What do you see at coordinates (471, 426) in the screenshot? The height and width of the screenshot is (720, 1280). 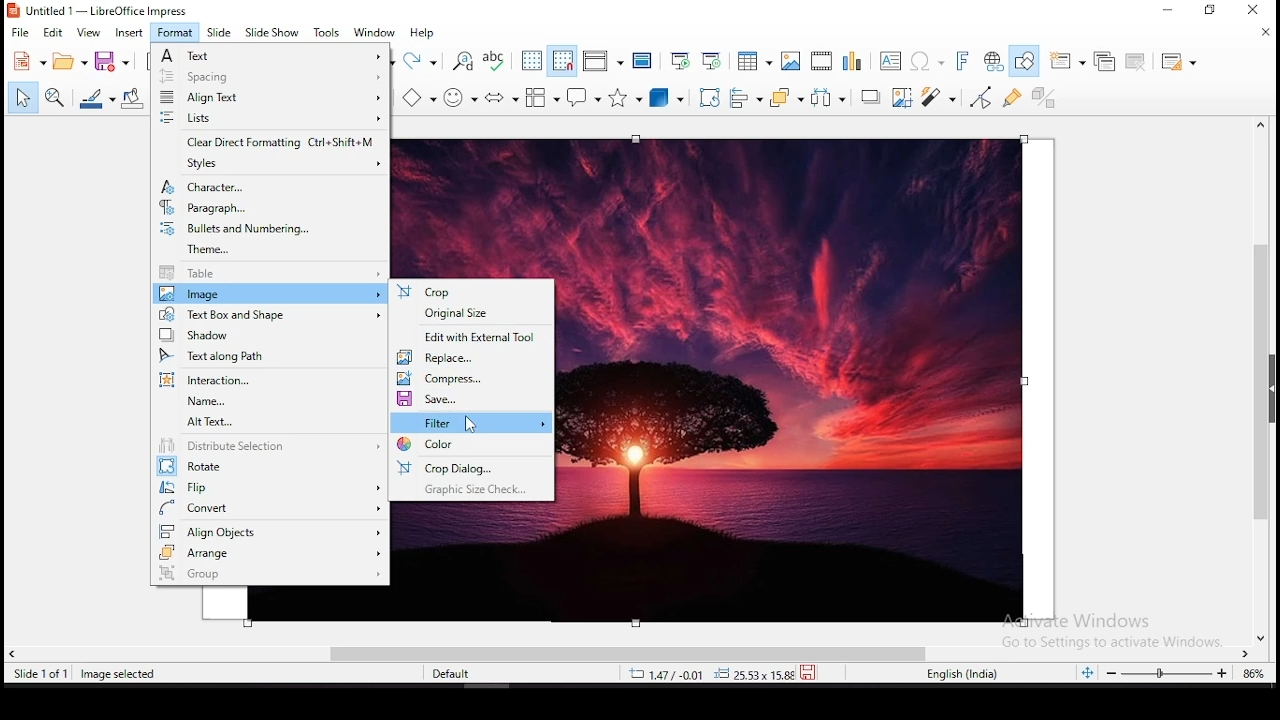 I see `mouse pointer` at bounding box center [471, 426].